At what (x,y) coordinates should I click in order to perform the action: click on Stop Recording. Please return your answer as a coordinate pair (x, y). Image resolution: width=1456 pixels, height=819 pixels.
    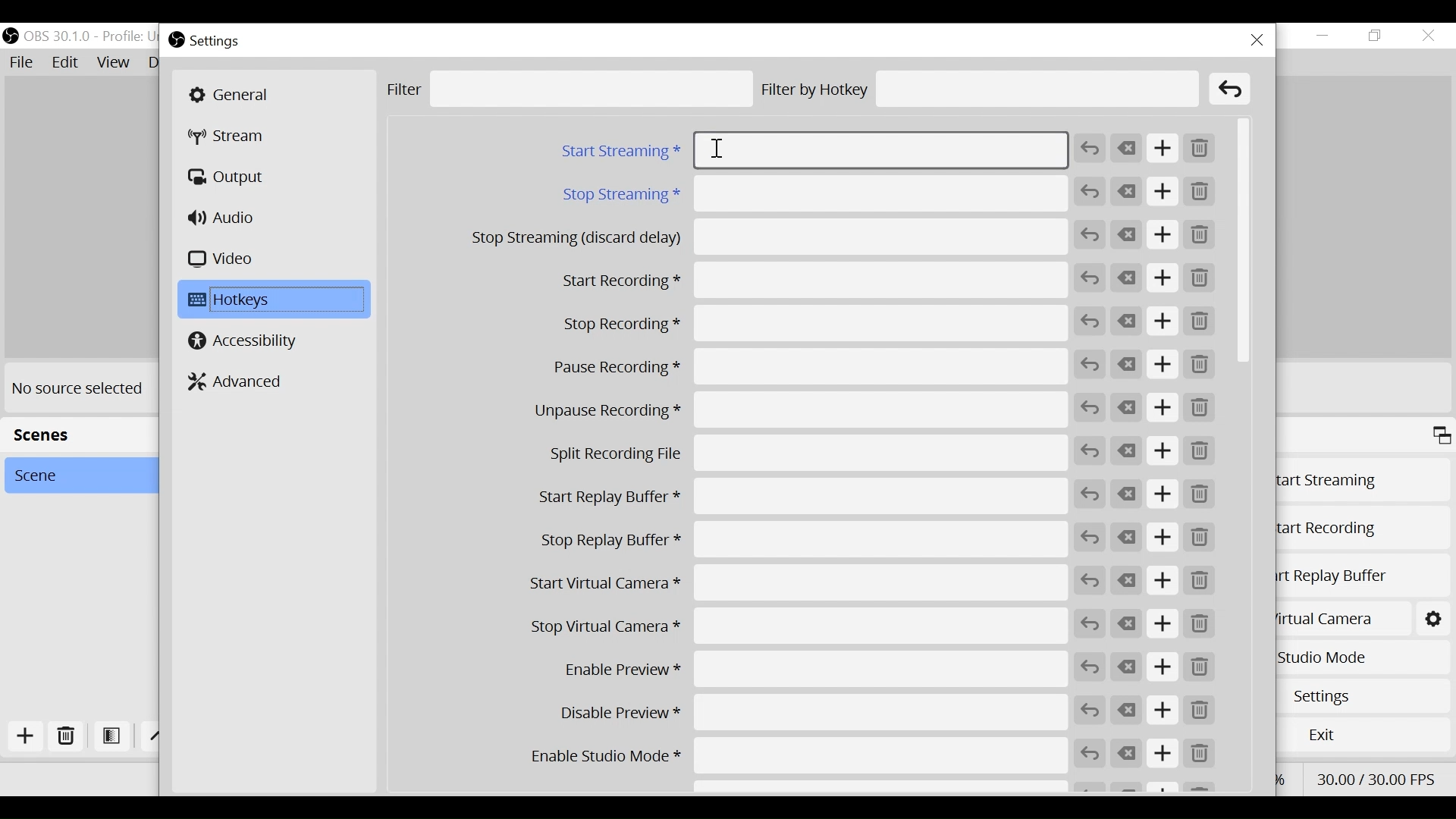
    Looking at the image, I should click on (799, 325).